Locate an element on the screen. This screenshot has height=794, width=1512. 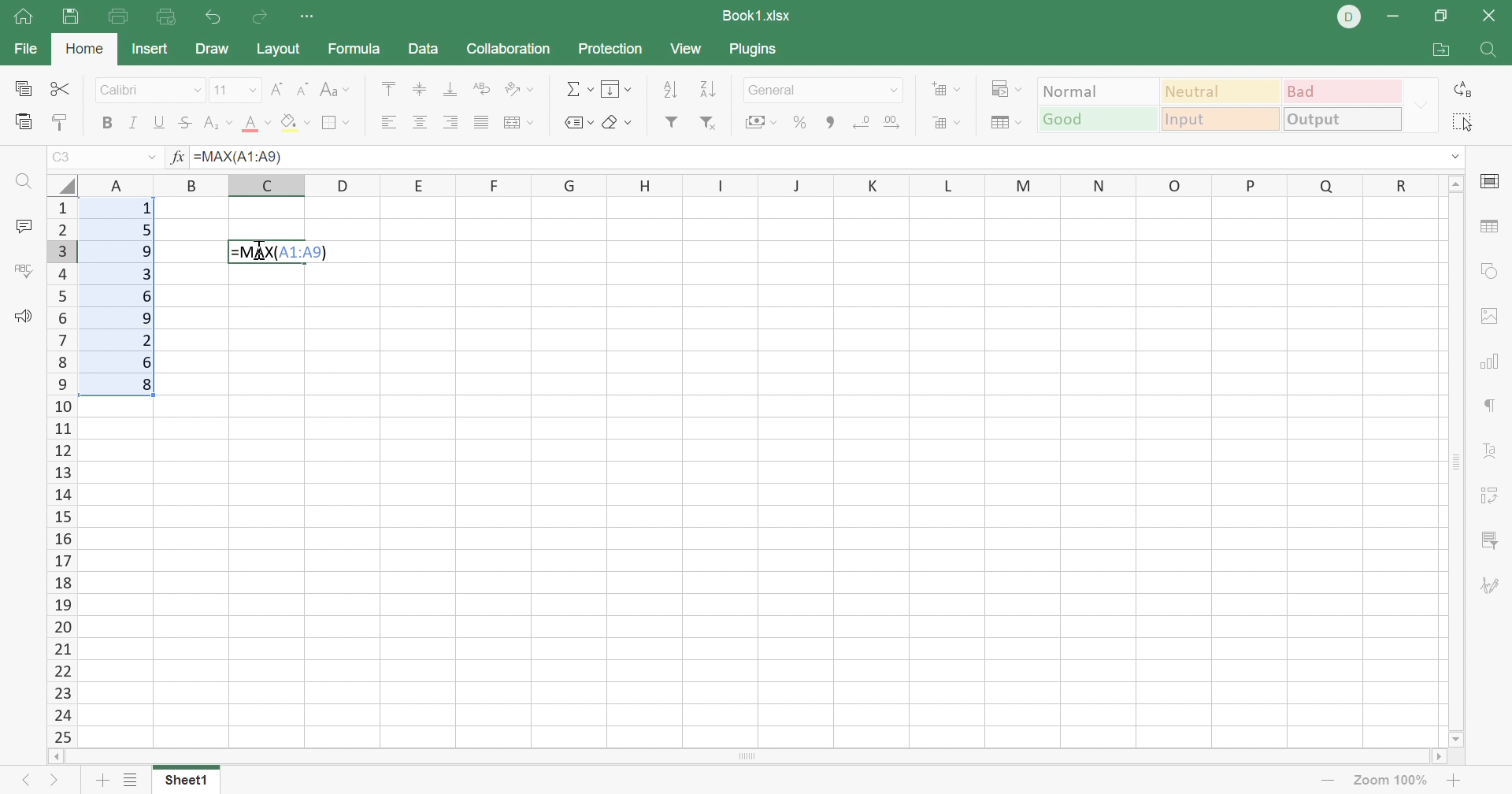
File is located at coordinates (23, 49).